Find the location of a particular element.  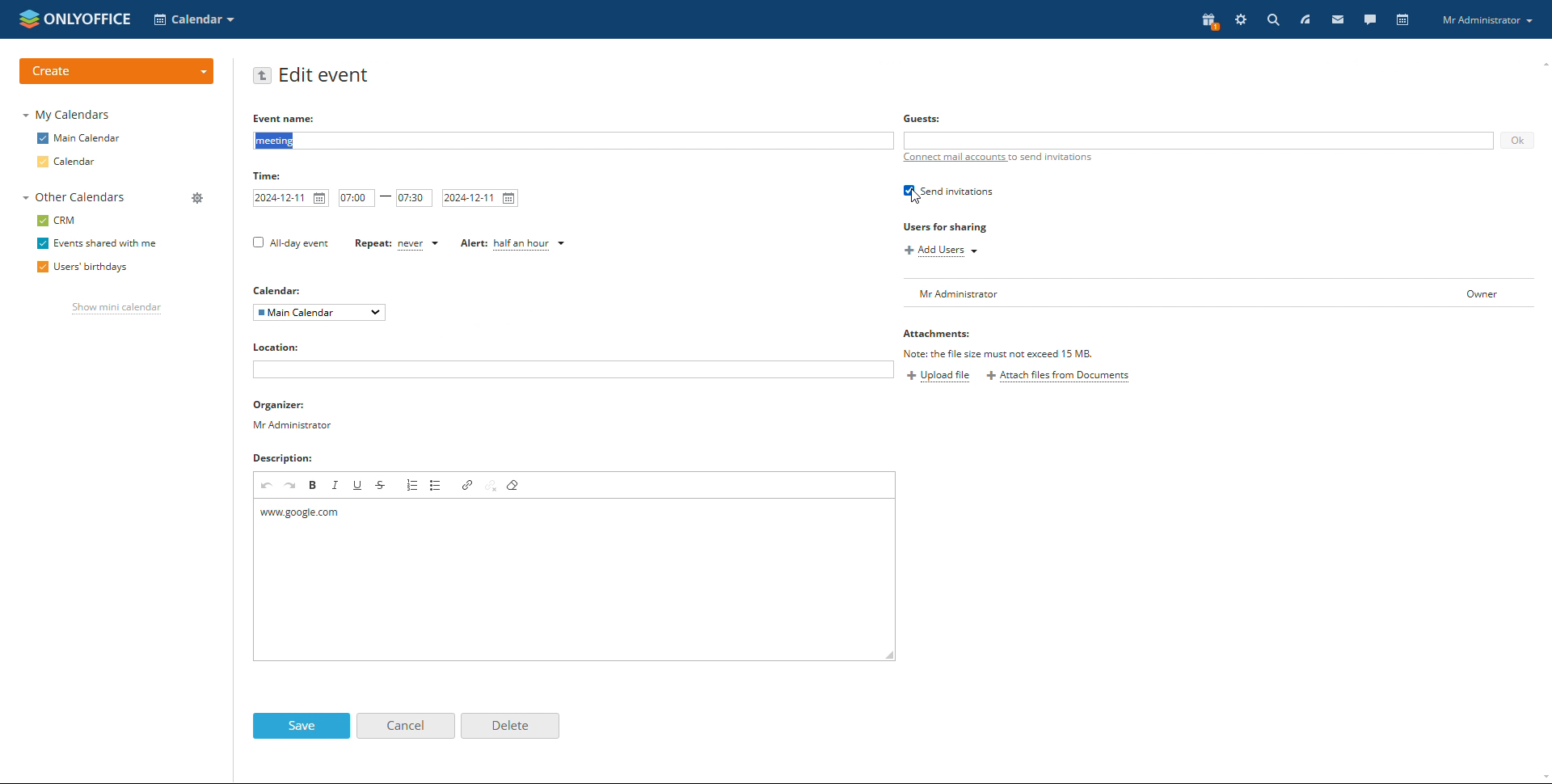

Event name: is located at coordinates (289, 118).